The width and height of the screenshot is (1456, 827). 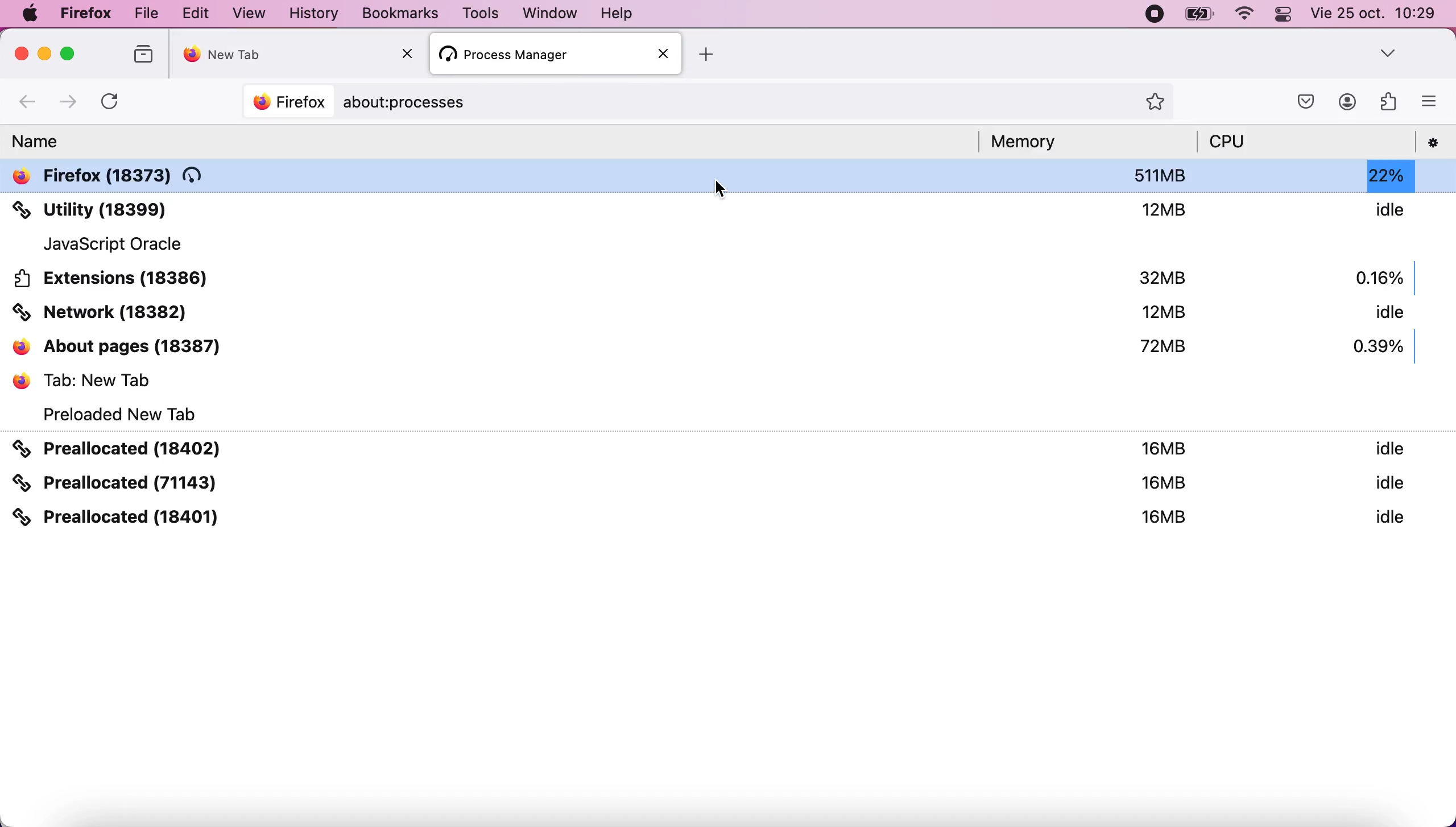 I want to click on Minimize, so click(x=46, y=53).